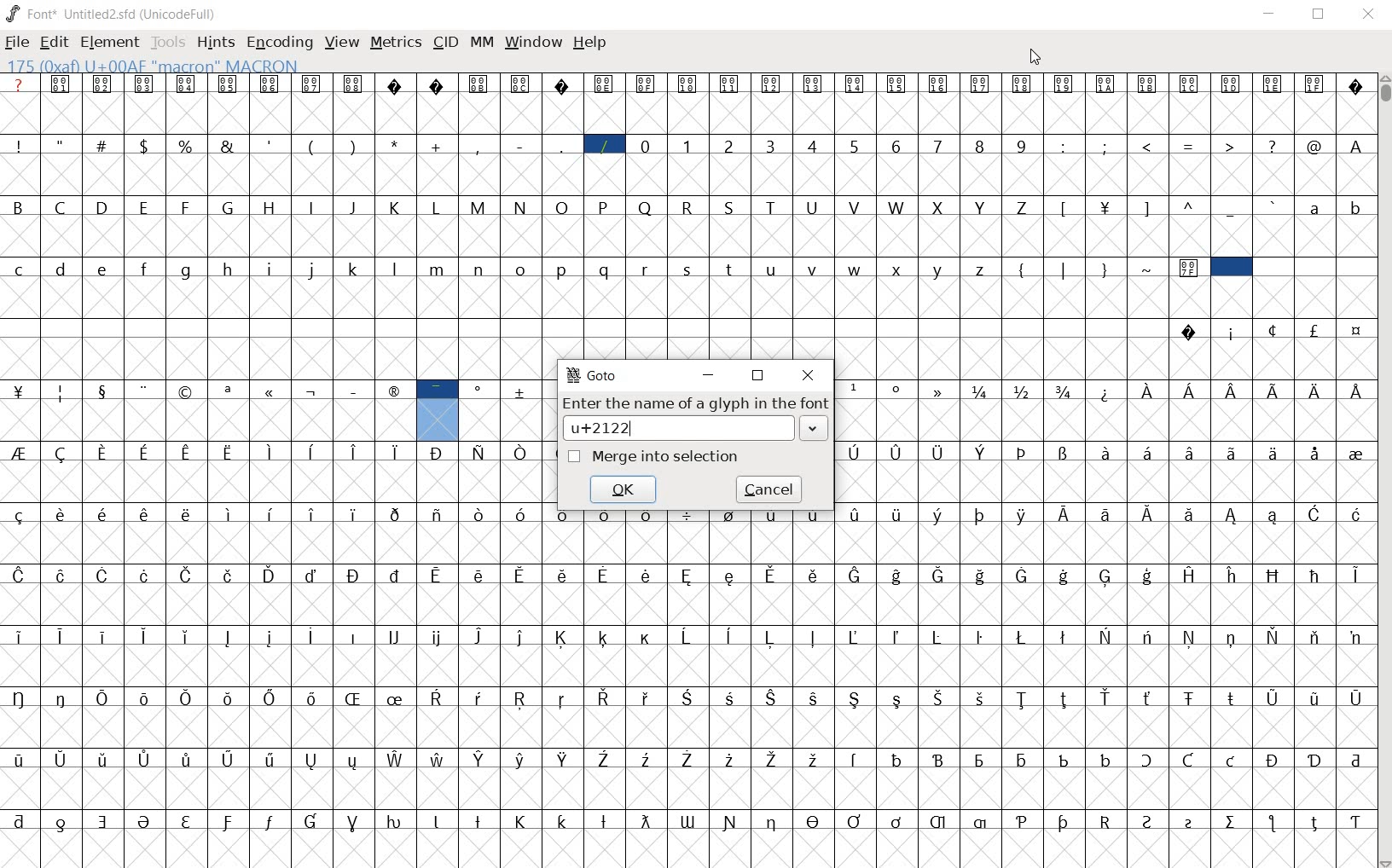  Describe the element at coordinates (377, 538) in the screenshot. I see `Latin extended characters` at that location.